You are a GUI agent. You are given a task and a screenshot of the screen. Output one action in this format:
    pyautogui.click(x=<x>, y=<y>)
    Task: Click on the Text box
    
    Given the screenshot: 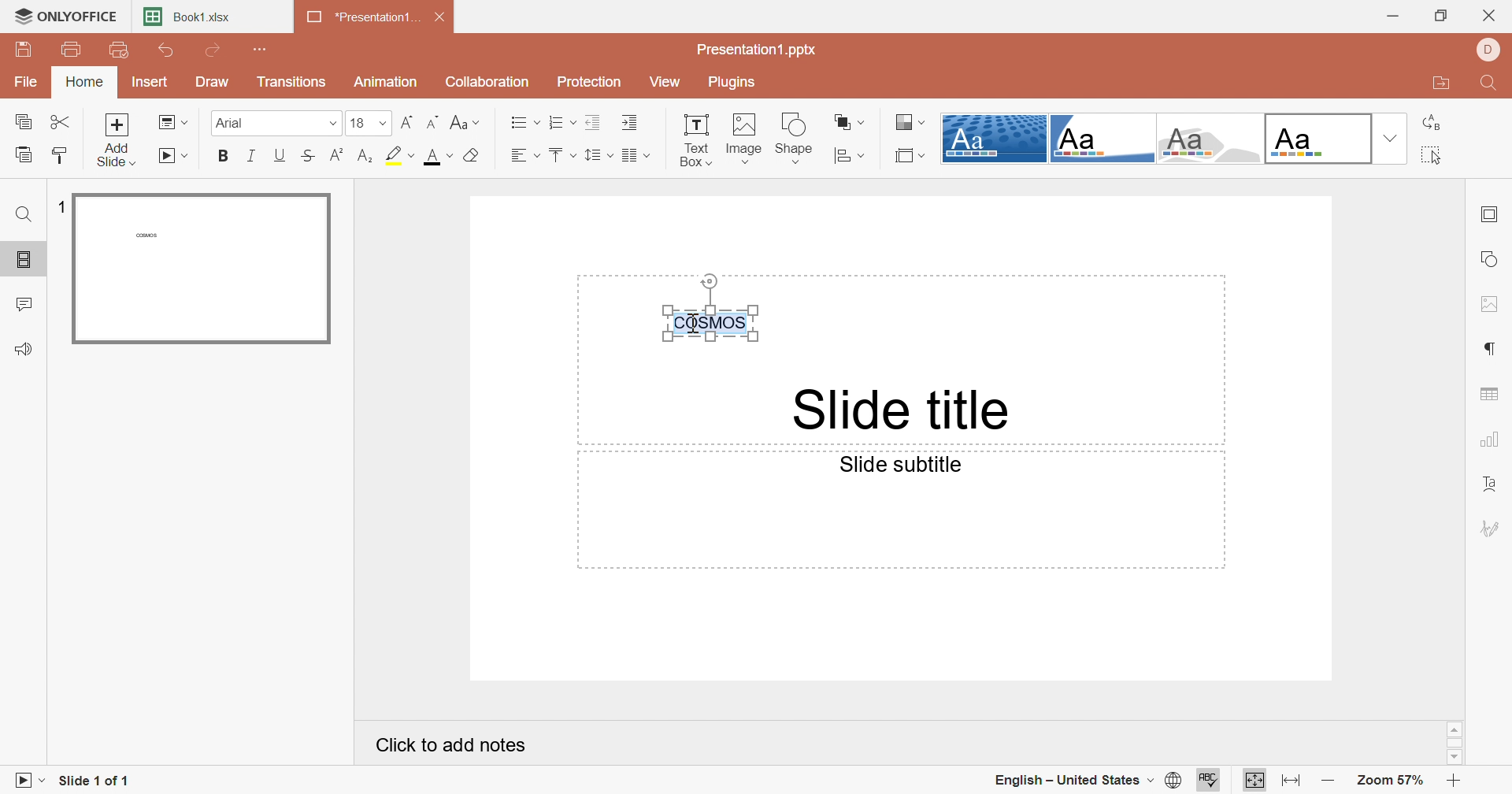 What is the action you would take?
    pyautogui.click(x=695, y=139)
    